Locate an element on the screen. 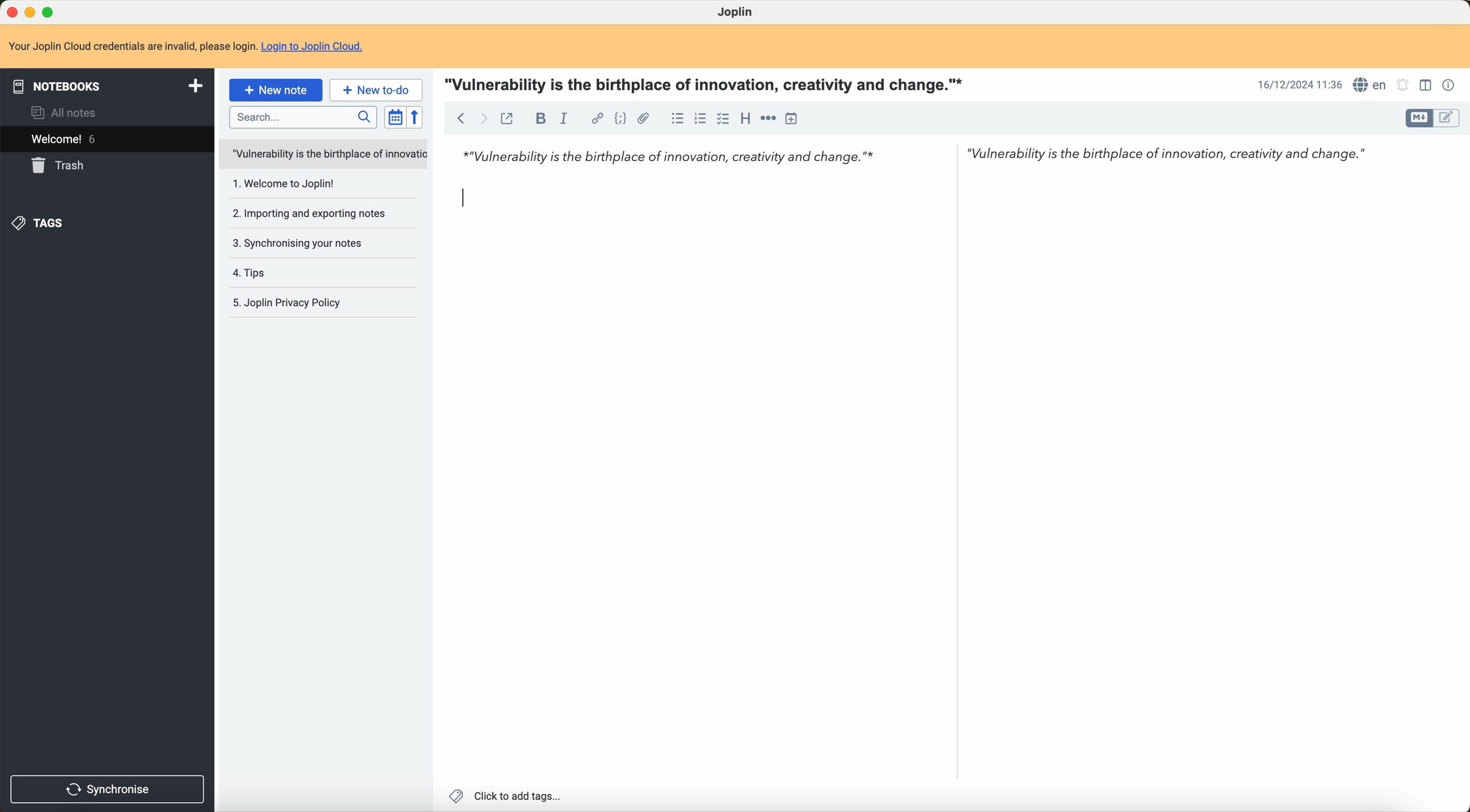  trash is located at coordinates (60, 166).